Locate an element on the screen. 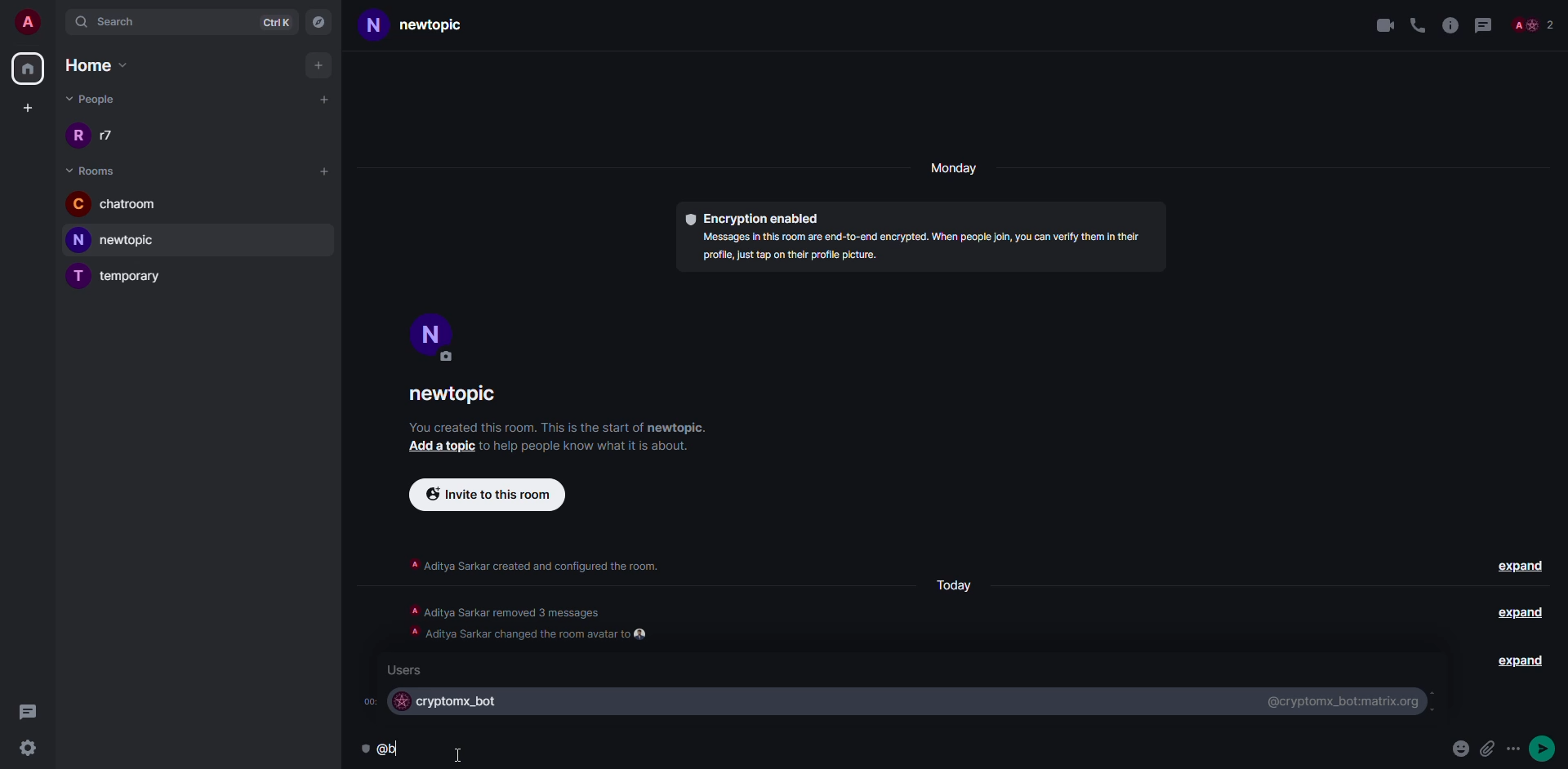 Image resolution: width=1568 pixels, height=769 pixels. profile is located at coordinates (432, 336).